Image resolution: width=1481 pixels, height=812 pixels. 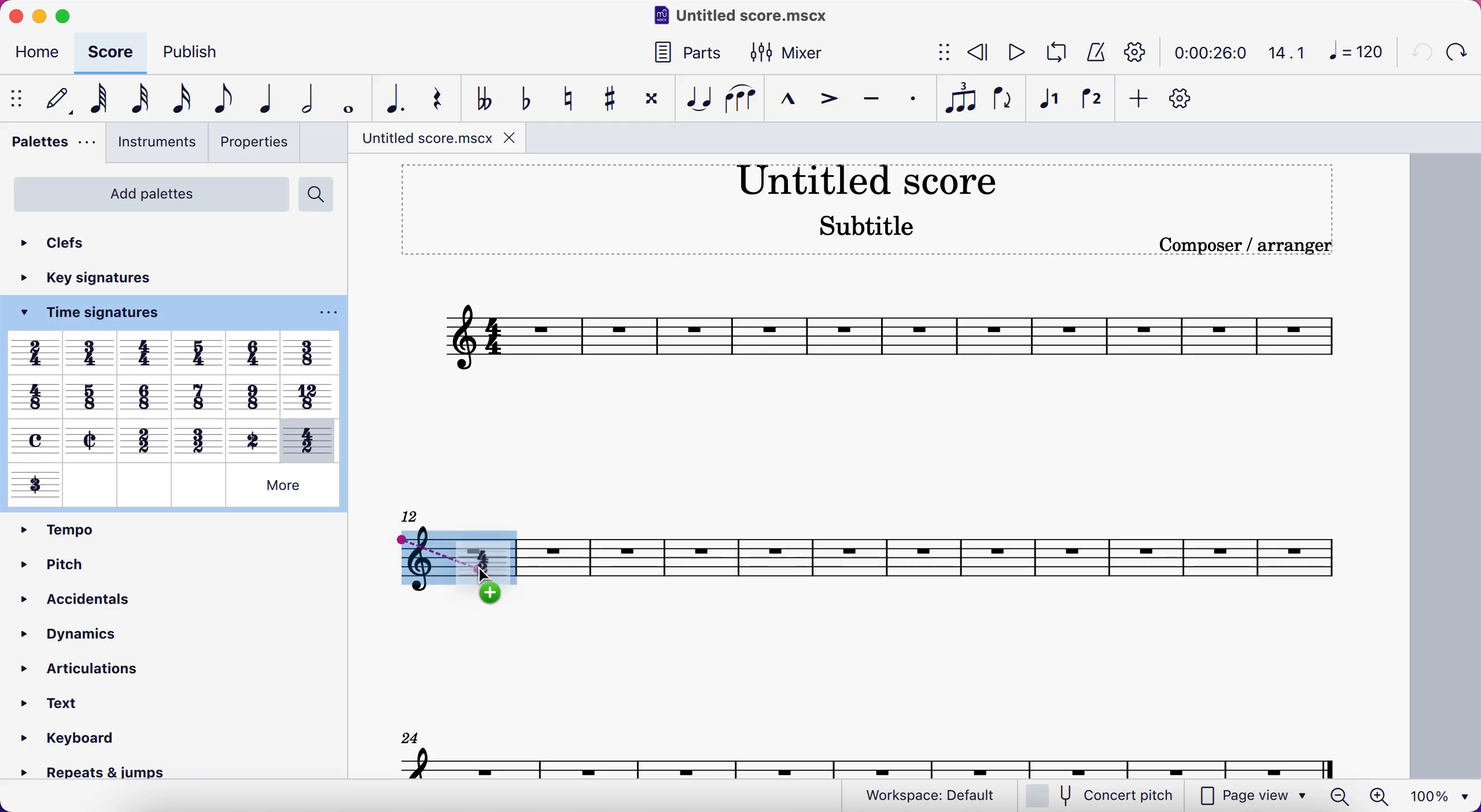 I want to click on playback settings, so click(x=1135, y=54).